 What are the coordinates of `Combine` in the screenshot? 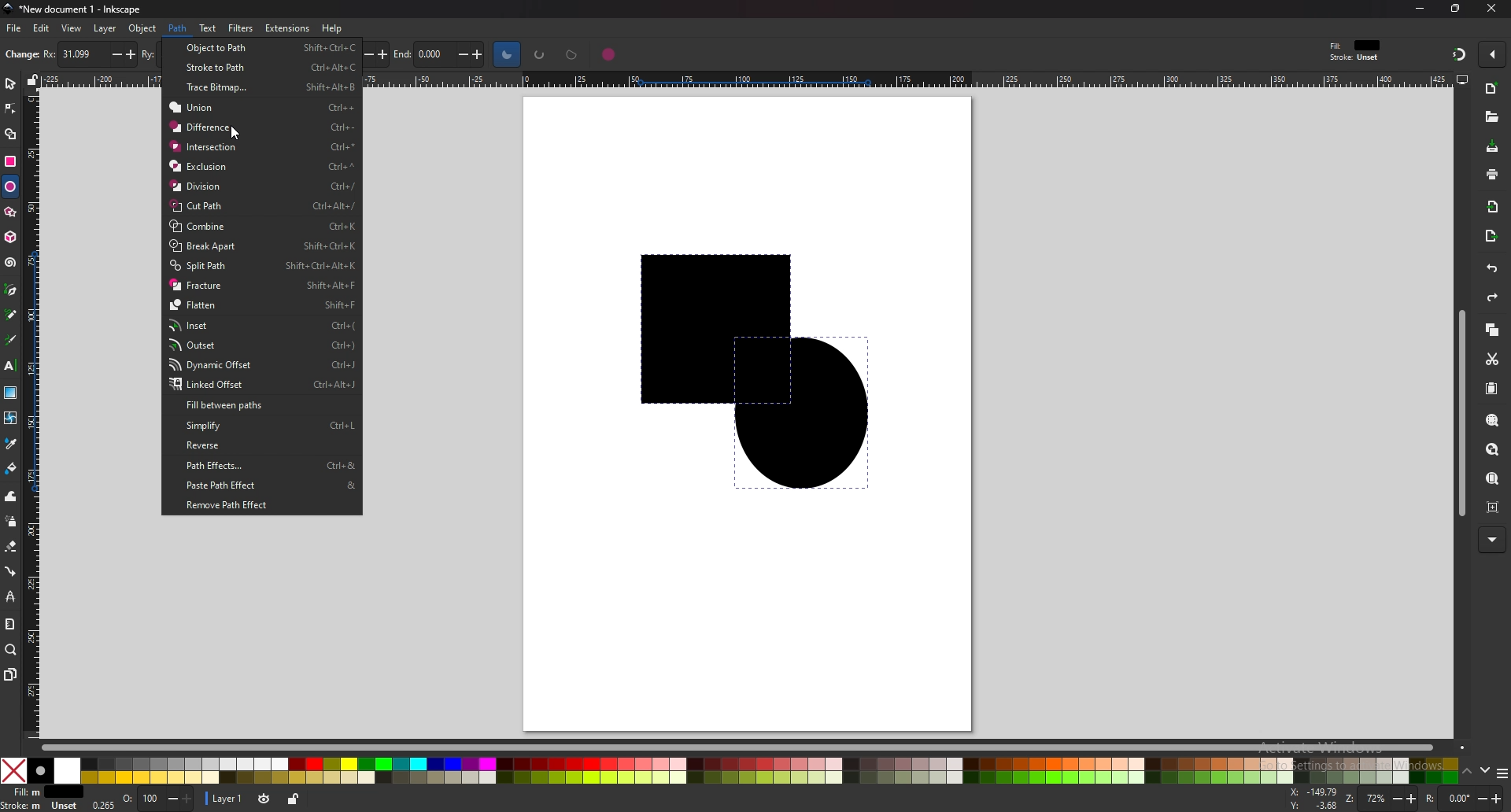 It's located at (258, 227).